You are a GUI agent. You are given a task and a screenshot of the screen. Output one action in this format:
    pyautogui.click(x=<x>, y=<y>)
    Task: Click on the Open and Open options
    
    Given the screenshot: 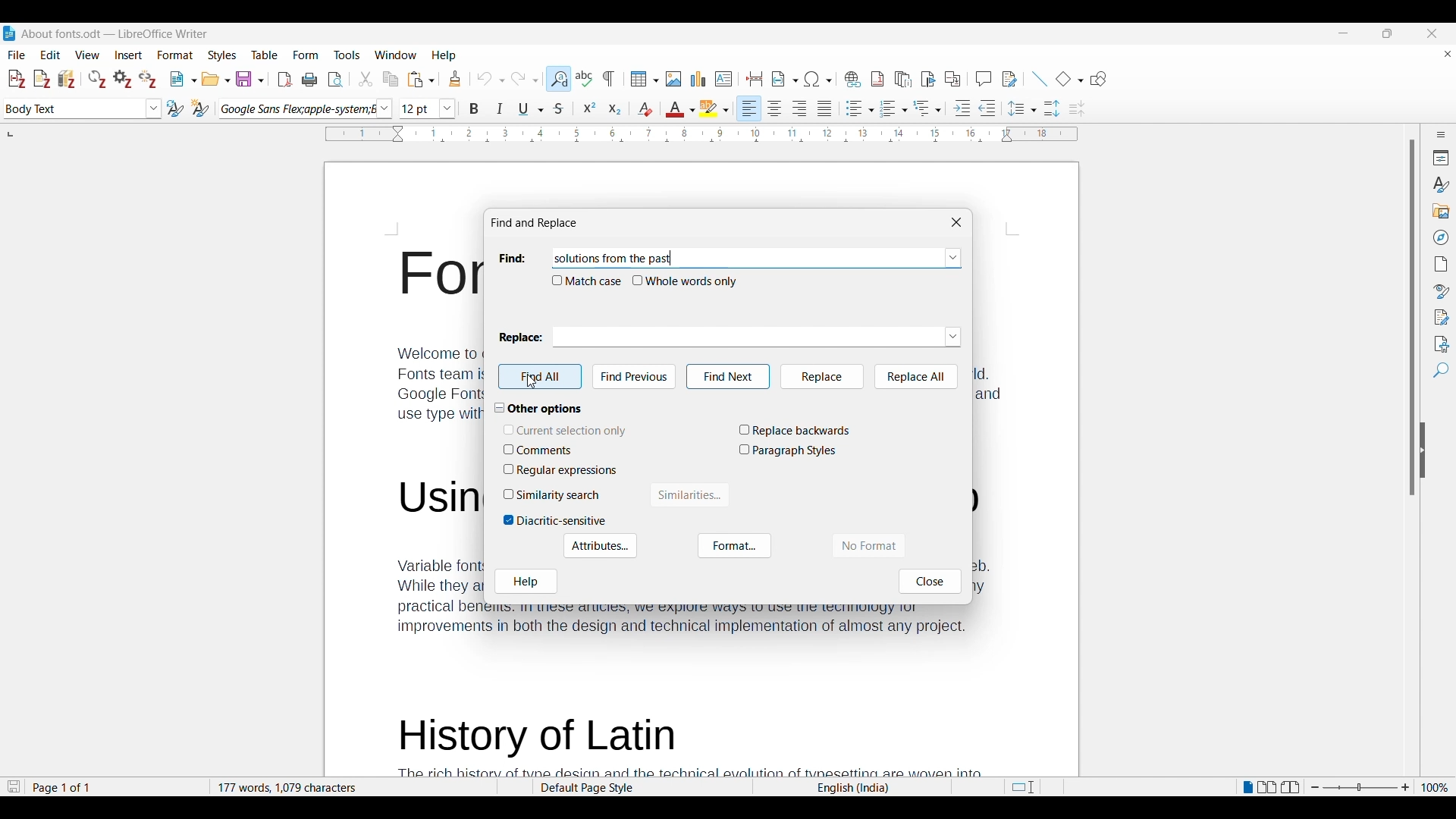 What is the action you would take?
    pyautogui.click(x=216, y=80)
    